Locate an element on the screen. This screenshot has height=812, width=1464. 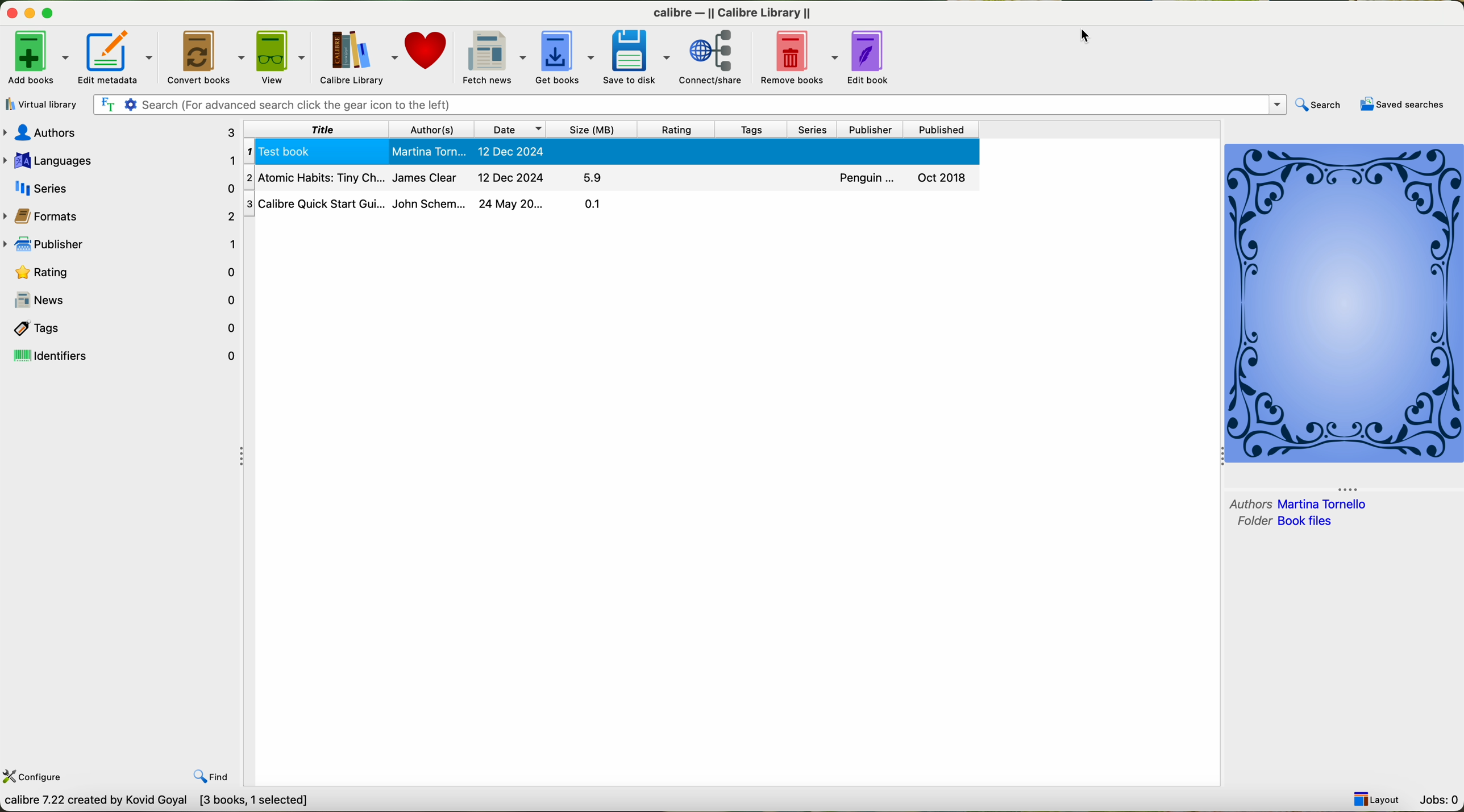
maximize is located at coordinates (49, 12).